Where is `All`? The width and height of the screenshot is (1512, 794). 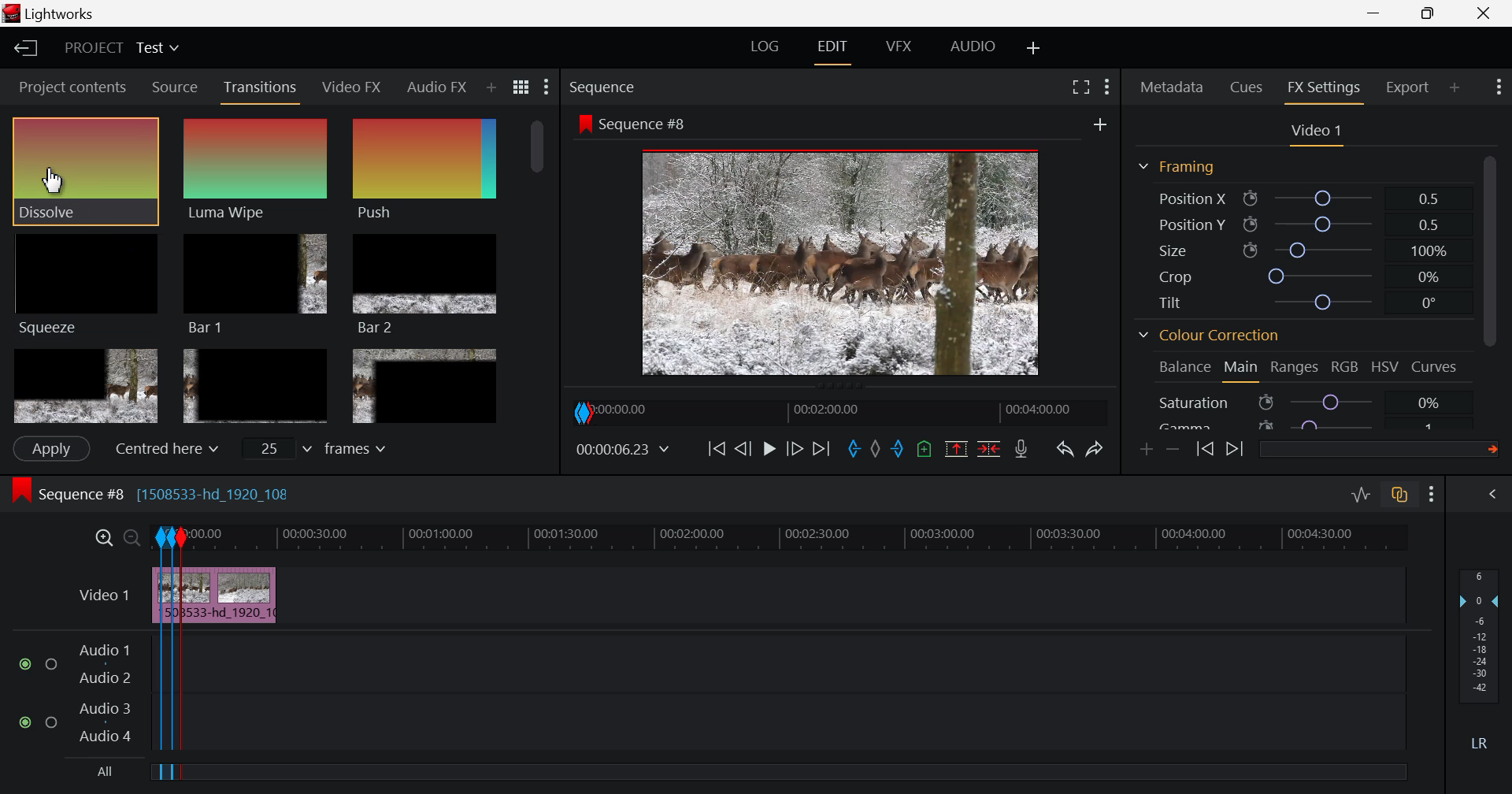 All is located at coordinates (109, 773).